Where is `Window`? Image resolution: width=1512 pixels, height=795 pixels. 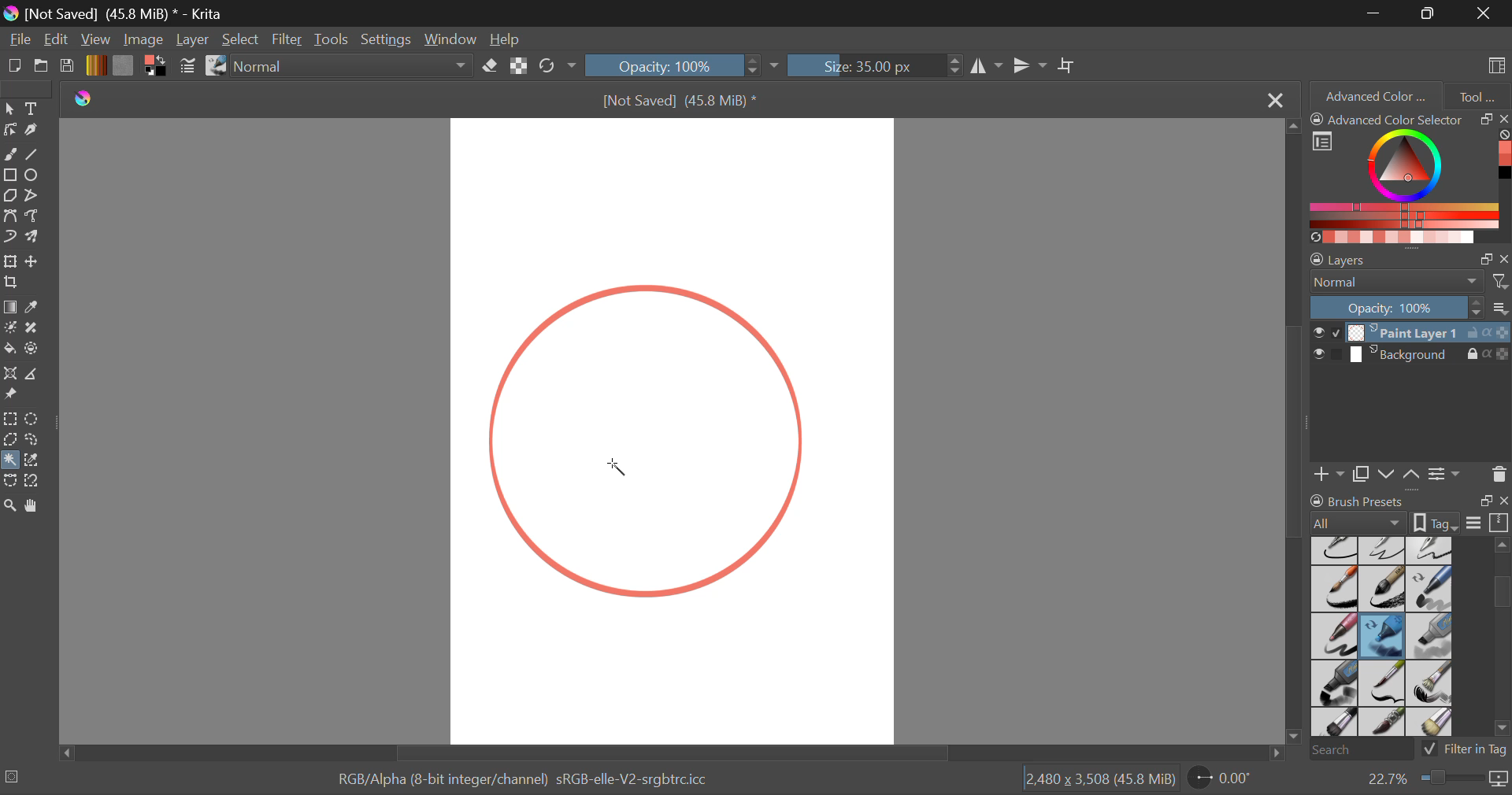
Window is located at coordinates (455, 40).